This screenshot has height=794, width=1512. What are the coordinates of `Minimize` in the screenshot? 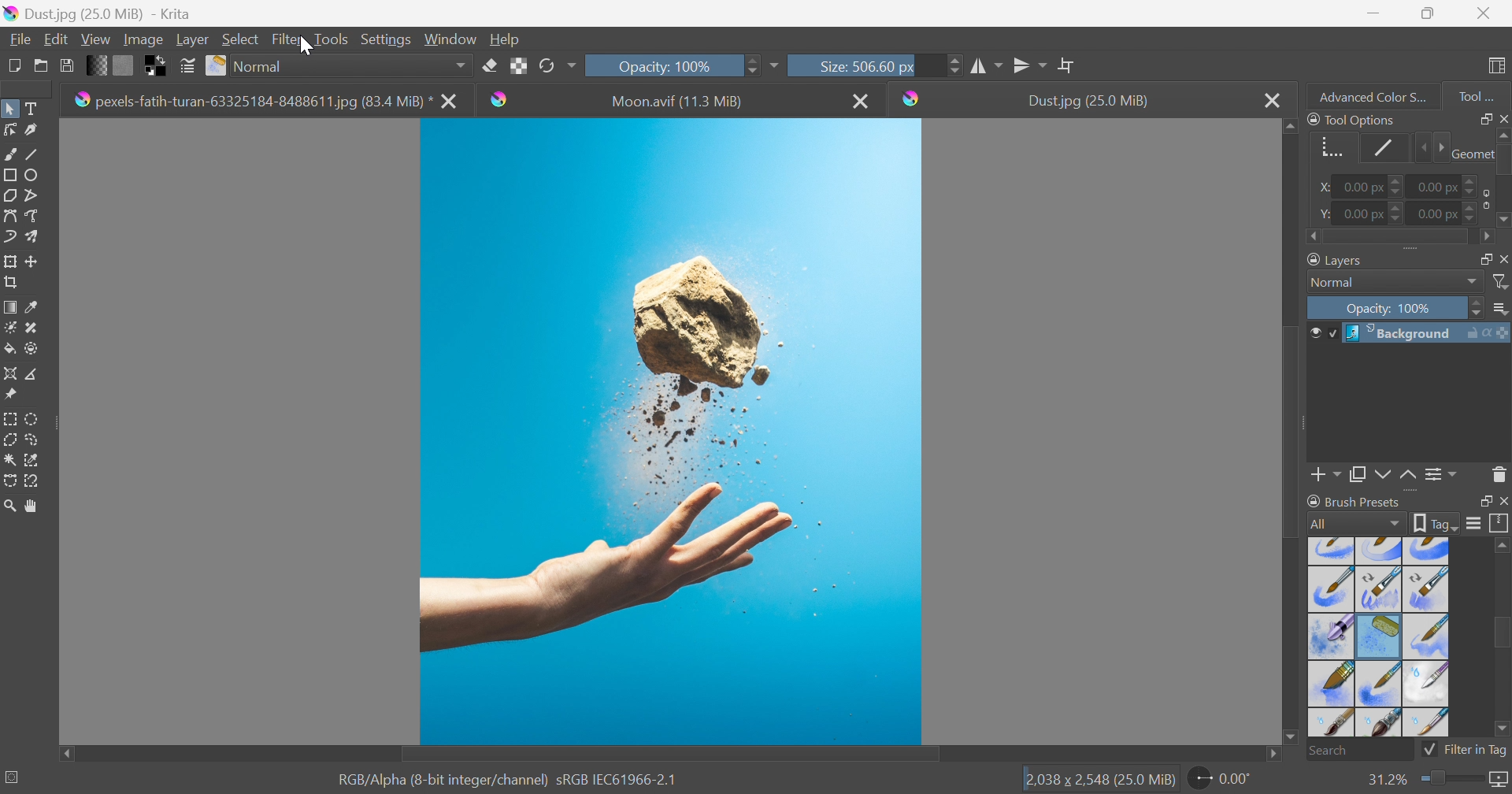 It's located at (1373, 12).